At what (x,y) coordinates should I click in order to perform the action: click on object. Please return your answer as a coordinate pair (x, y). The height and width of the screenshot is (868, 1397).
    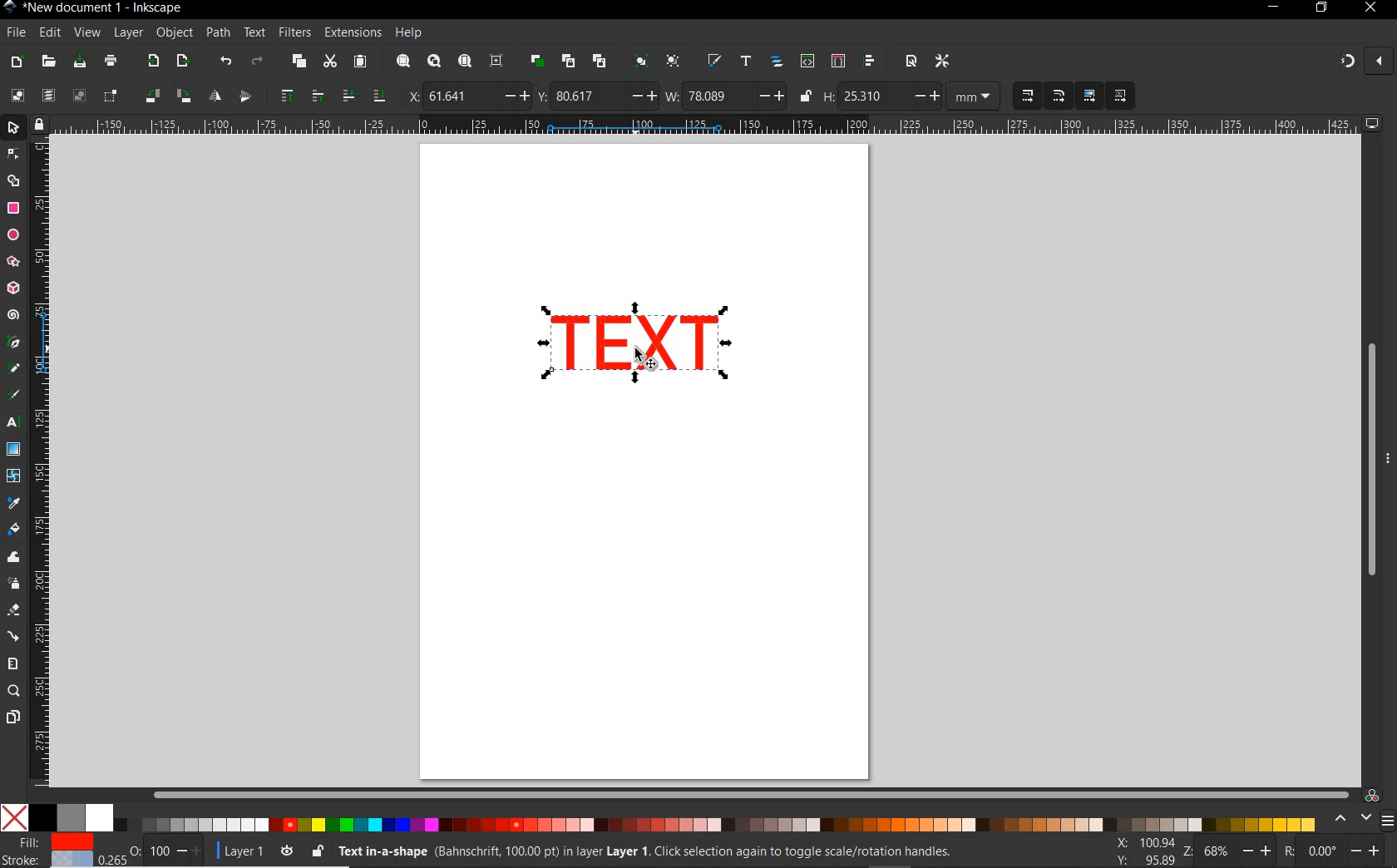
    Looking at the image, I should click on (175, 33).